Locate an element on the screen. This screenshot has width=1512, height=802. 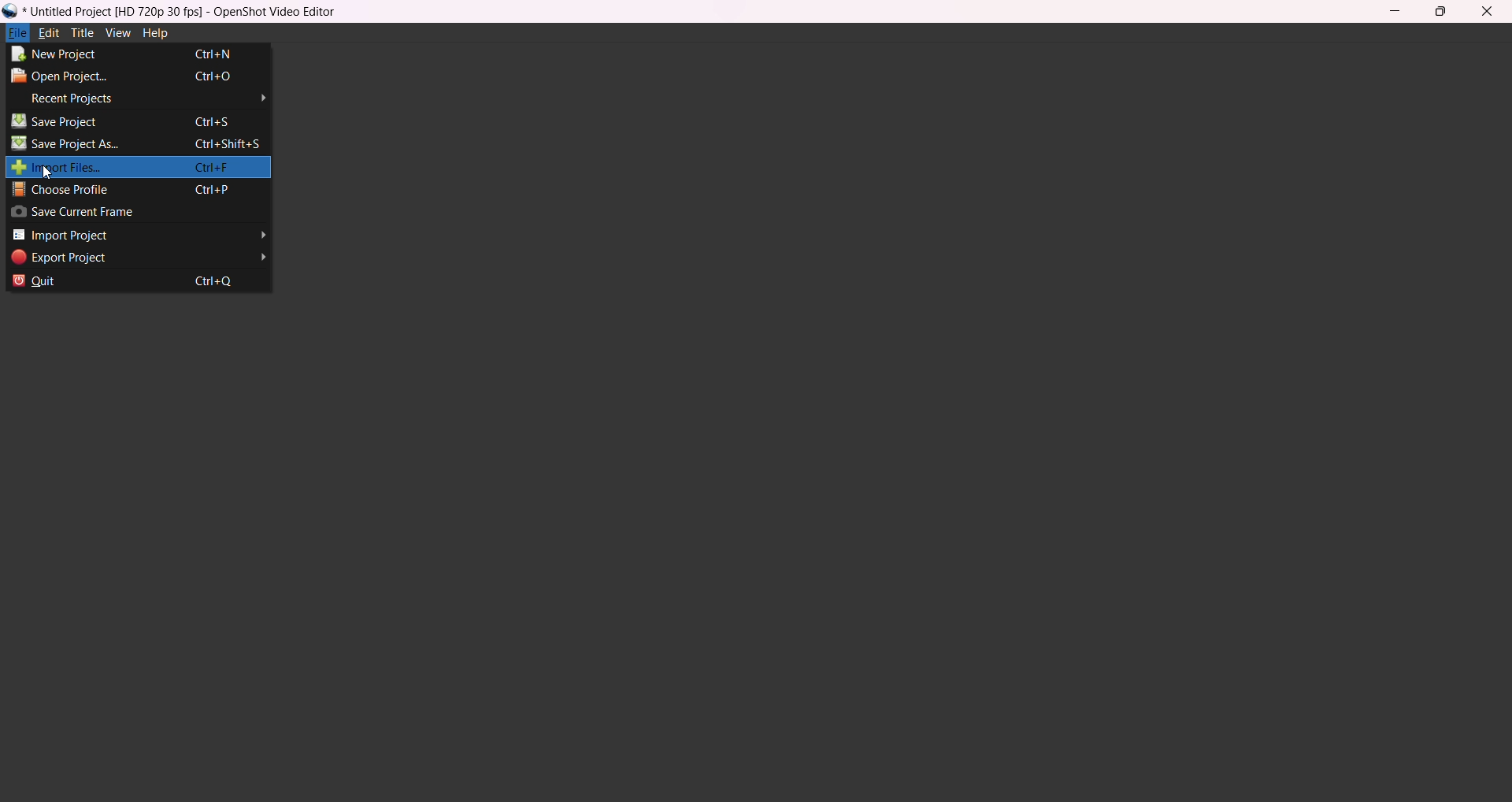
view is located at coordinates (117, 35).